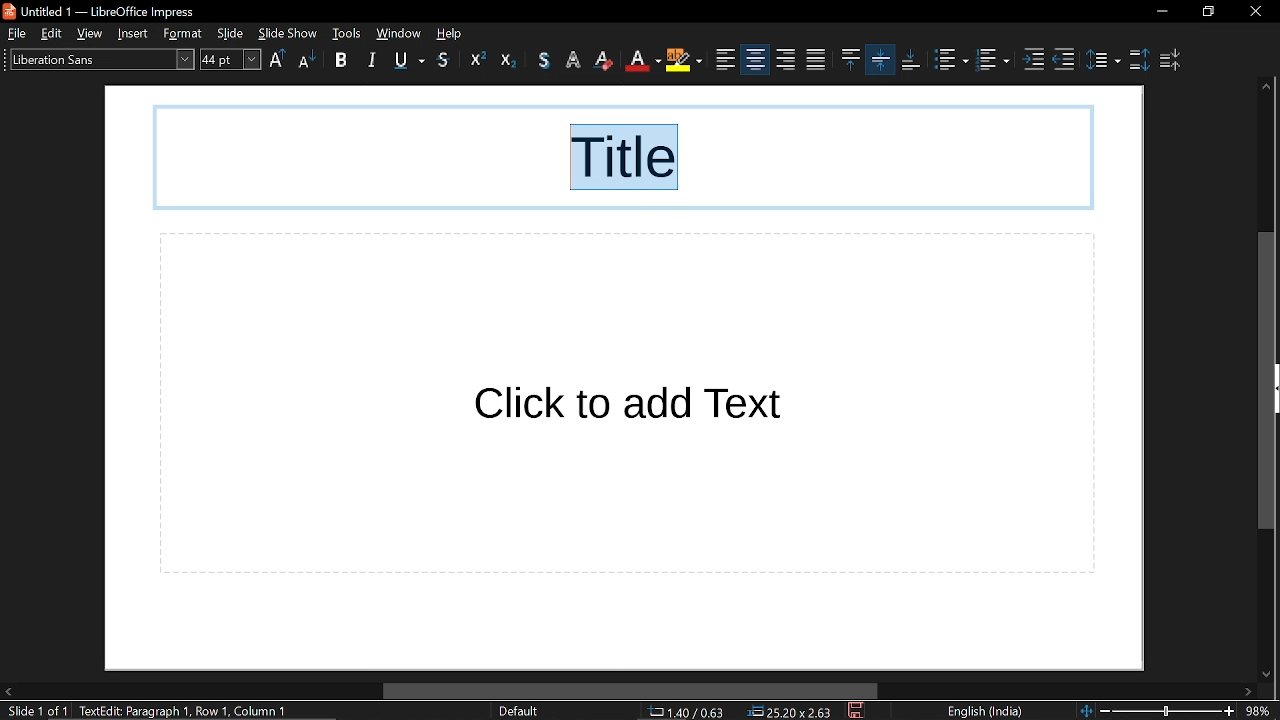  Describe the element at coordinates (103, 10) in the screenshot. I see `untitled 1 - libreoffice impress` at that location.